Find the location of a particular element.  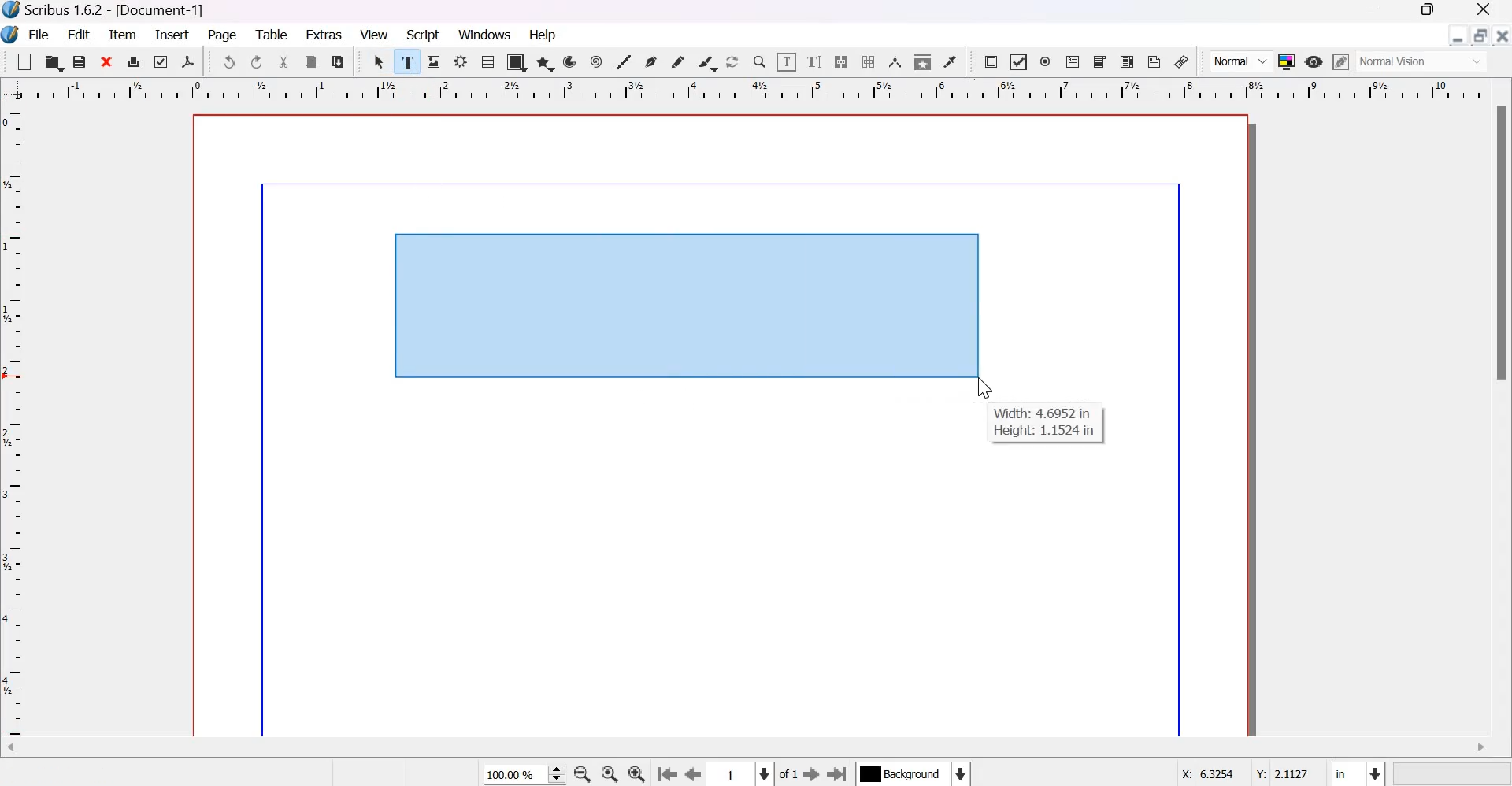

preflight verifier is located at coordinates (158, 61).